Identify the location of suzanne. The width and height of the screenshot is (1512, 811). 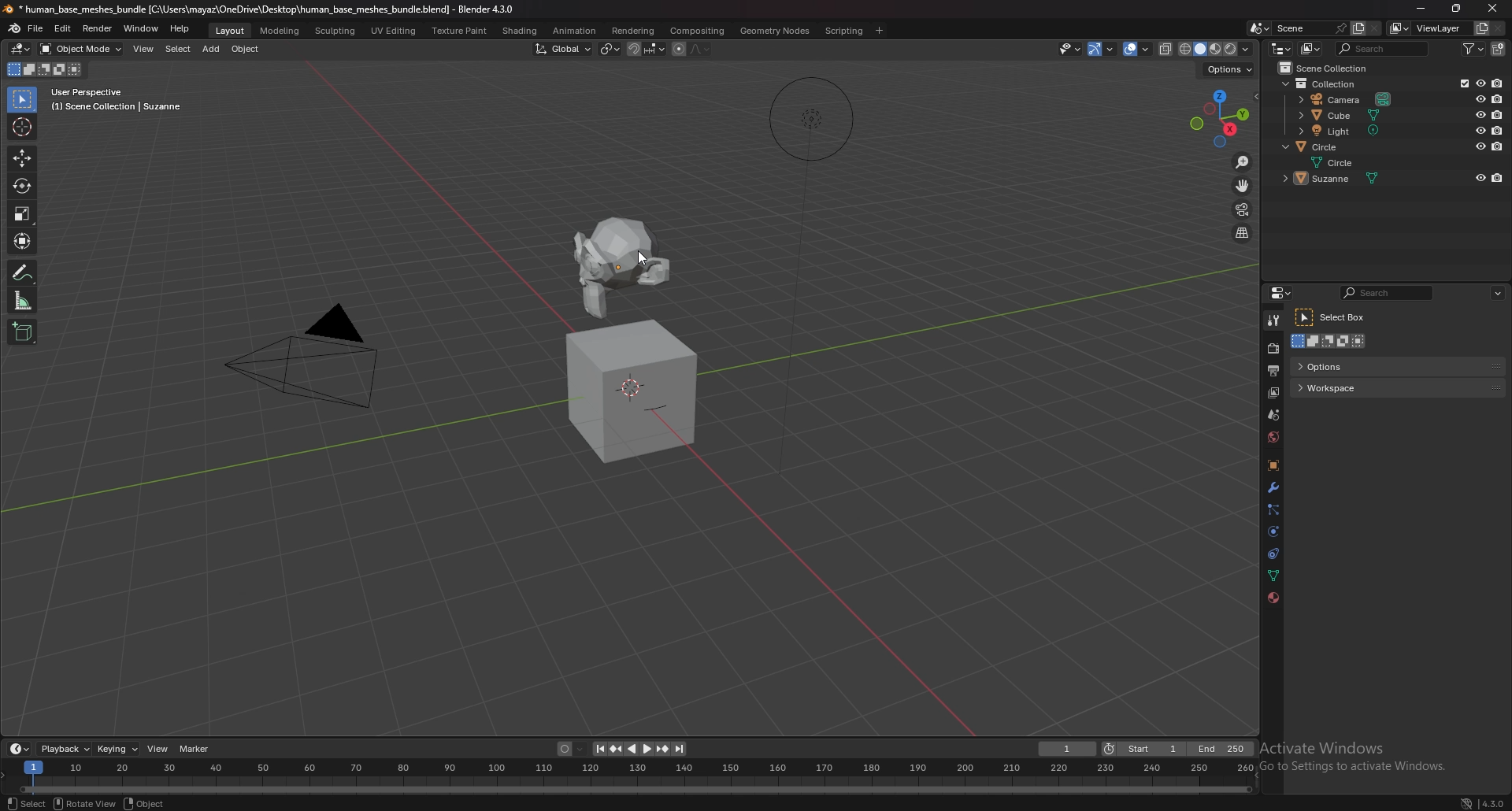
(627, 260).